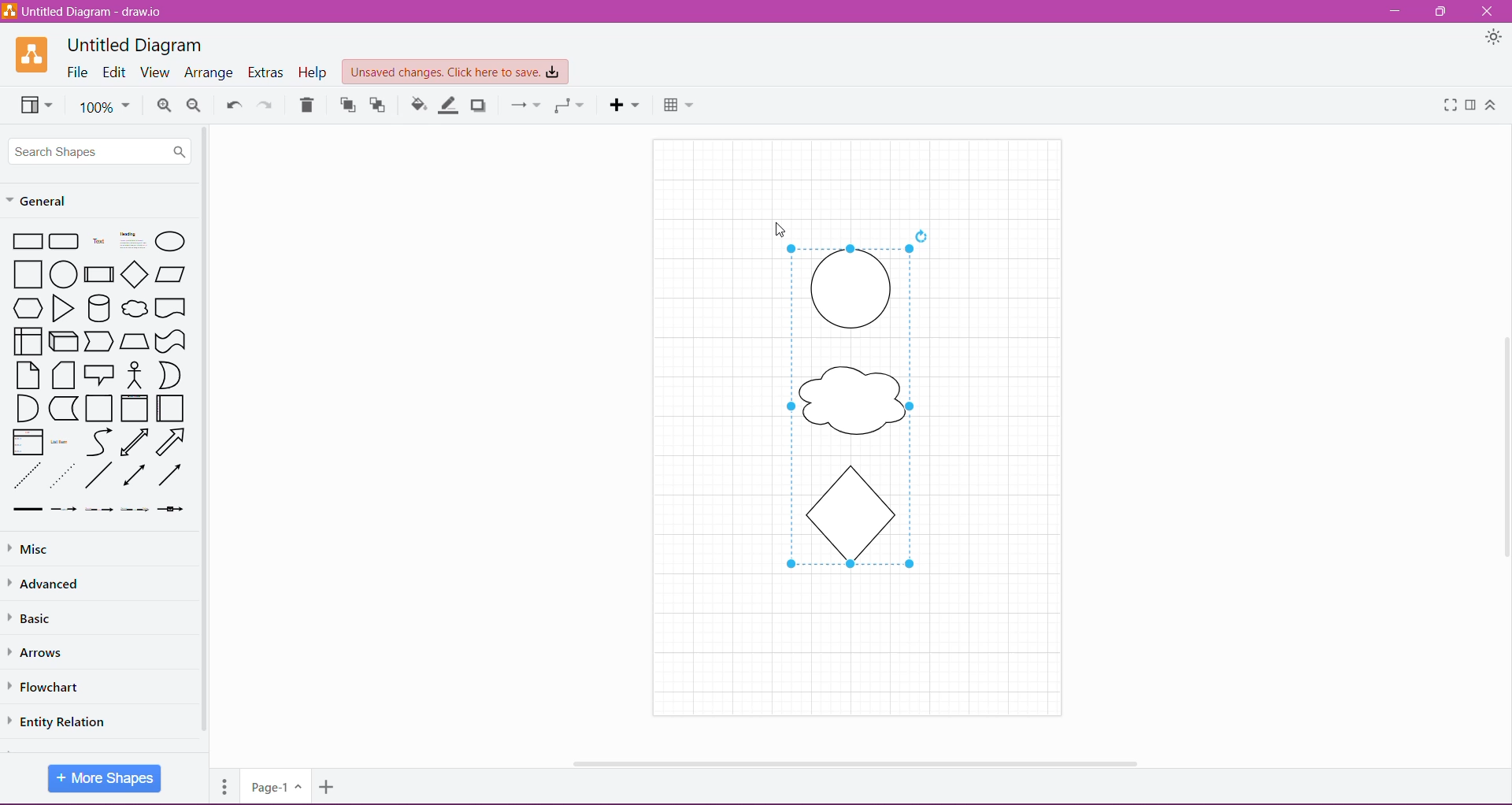  I want to click on Misc, so click(31, 550).